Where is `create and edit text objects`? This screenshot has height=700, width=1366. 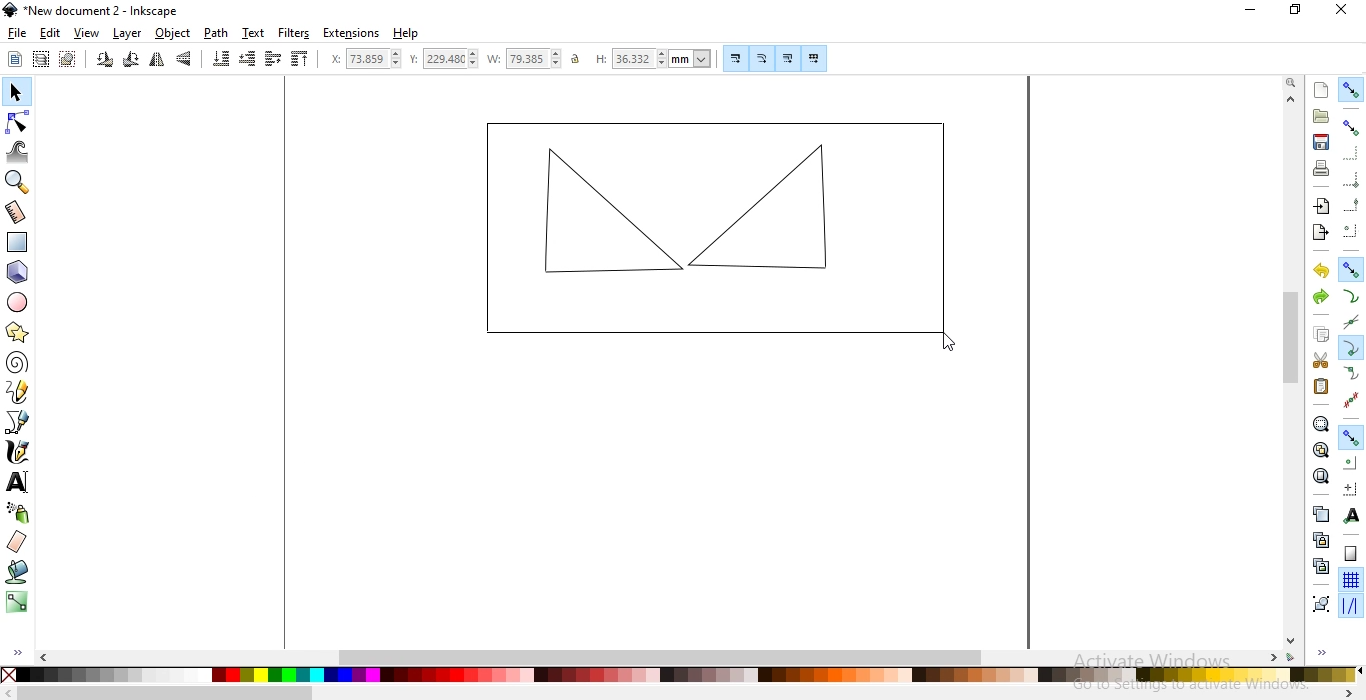 create and edit text objects is located at coordinates (18, 484).